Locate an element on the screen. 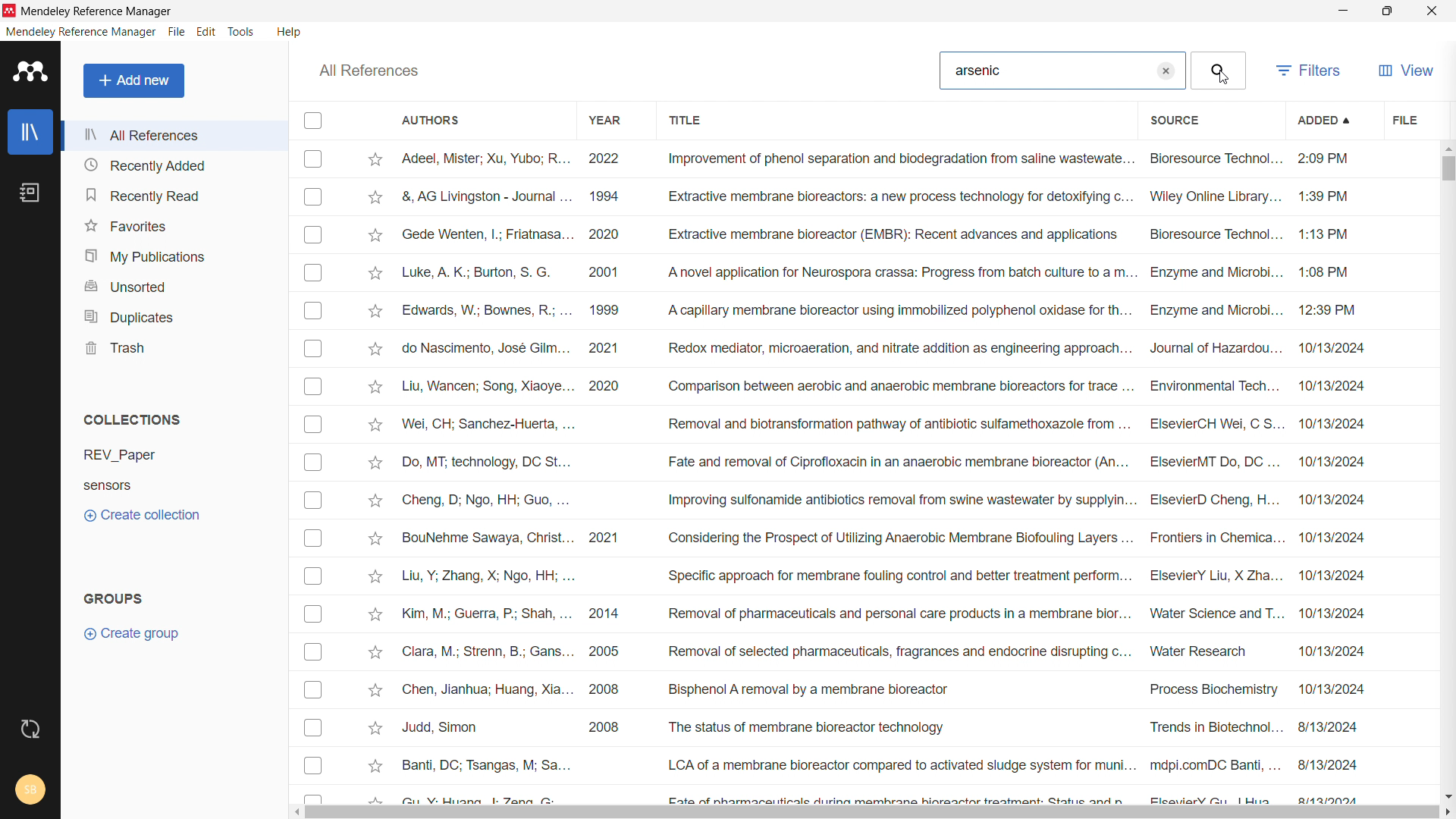 Image resolution: width=1456 pixels, height=819 pixels. maximize is located at coordinates (1386, 11).